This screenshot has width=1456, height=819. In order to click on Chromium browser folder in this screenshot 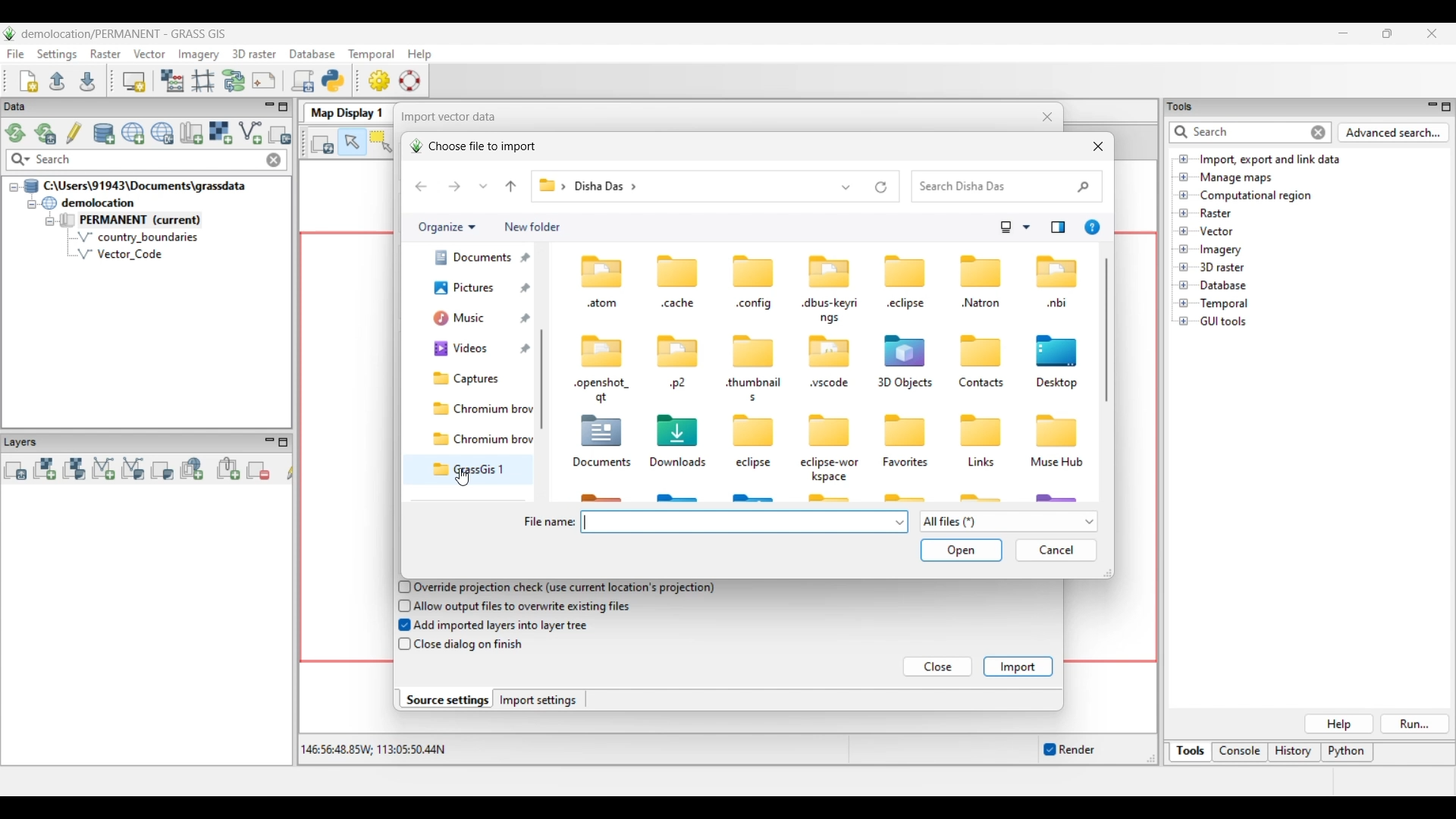, I will do `click(479, 439)`.